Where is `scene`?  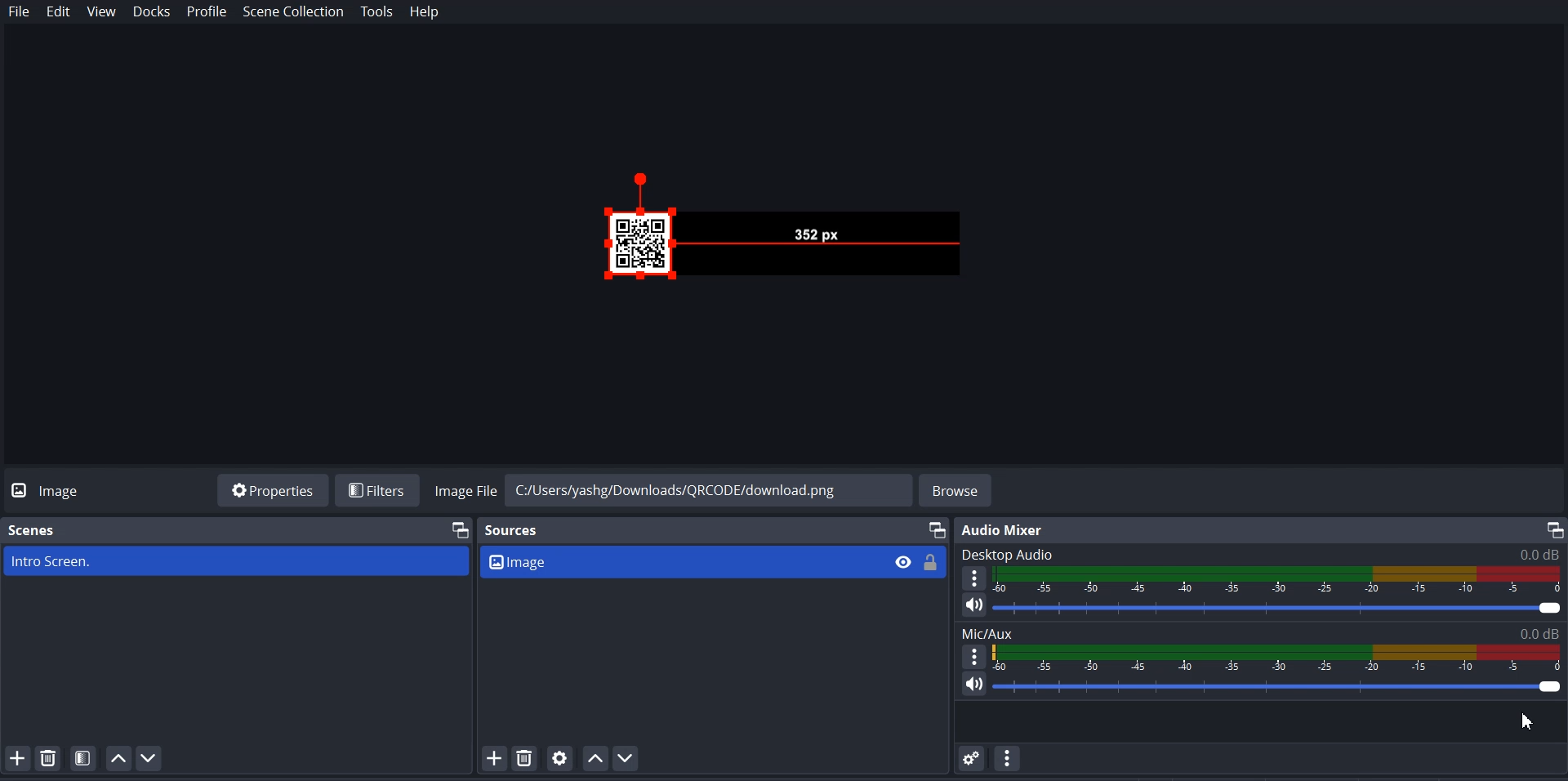 scene is located at coordinates (237, 560).